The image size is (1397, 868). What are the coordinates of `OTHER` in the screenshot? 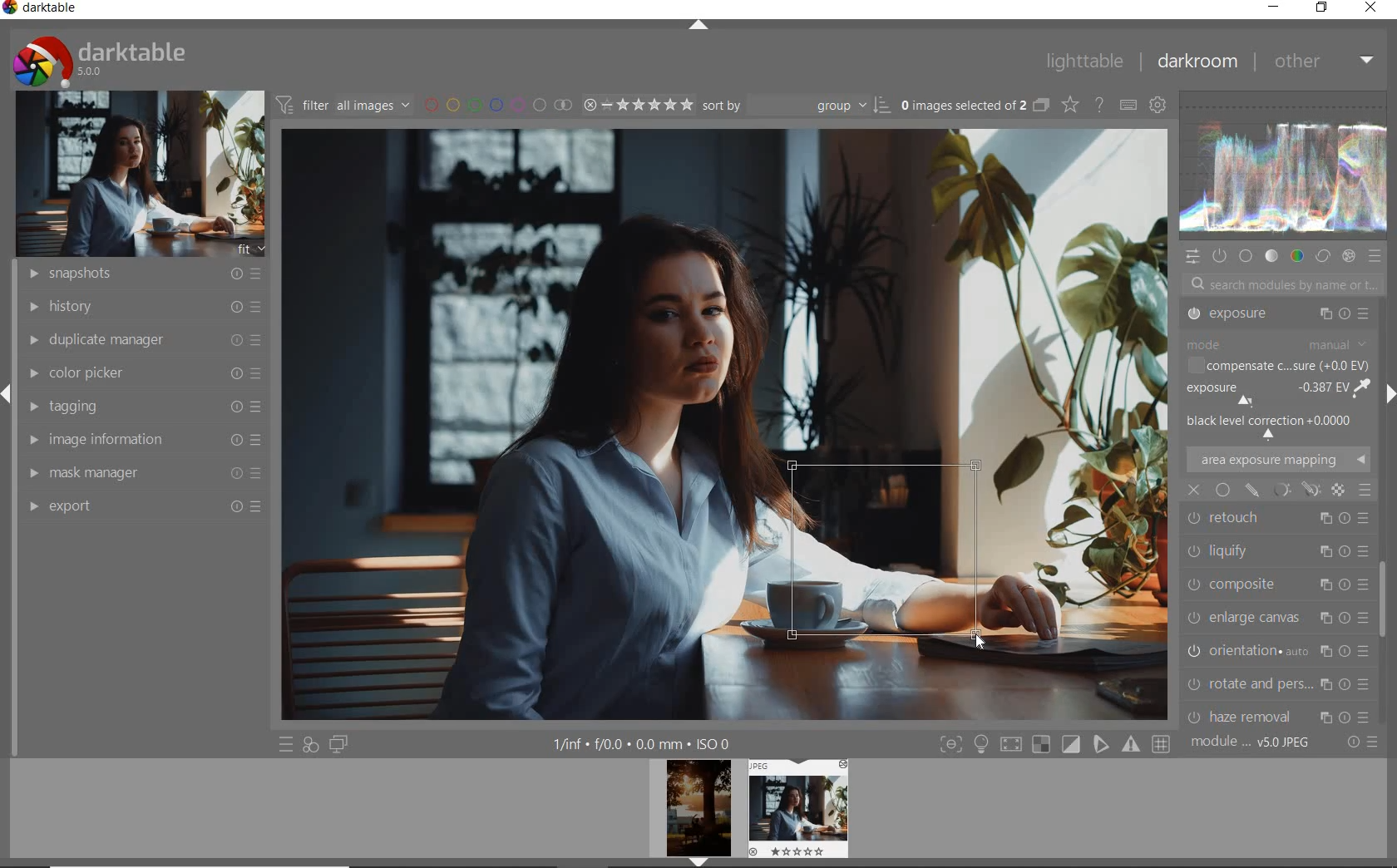 It's located at (1325, 64).